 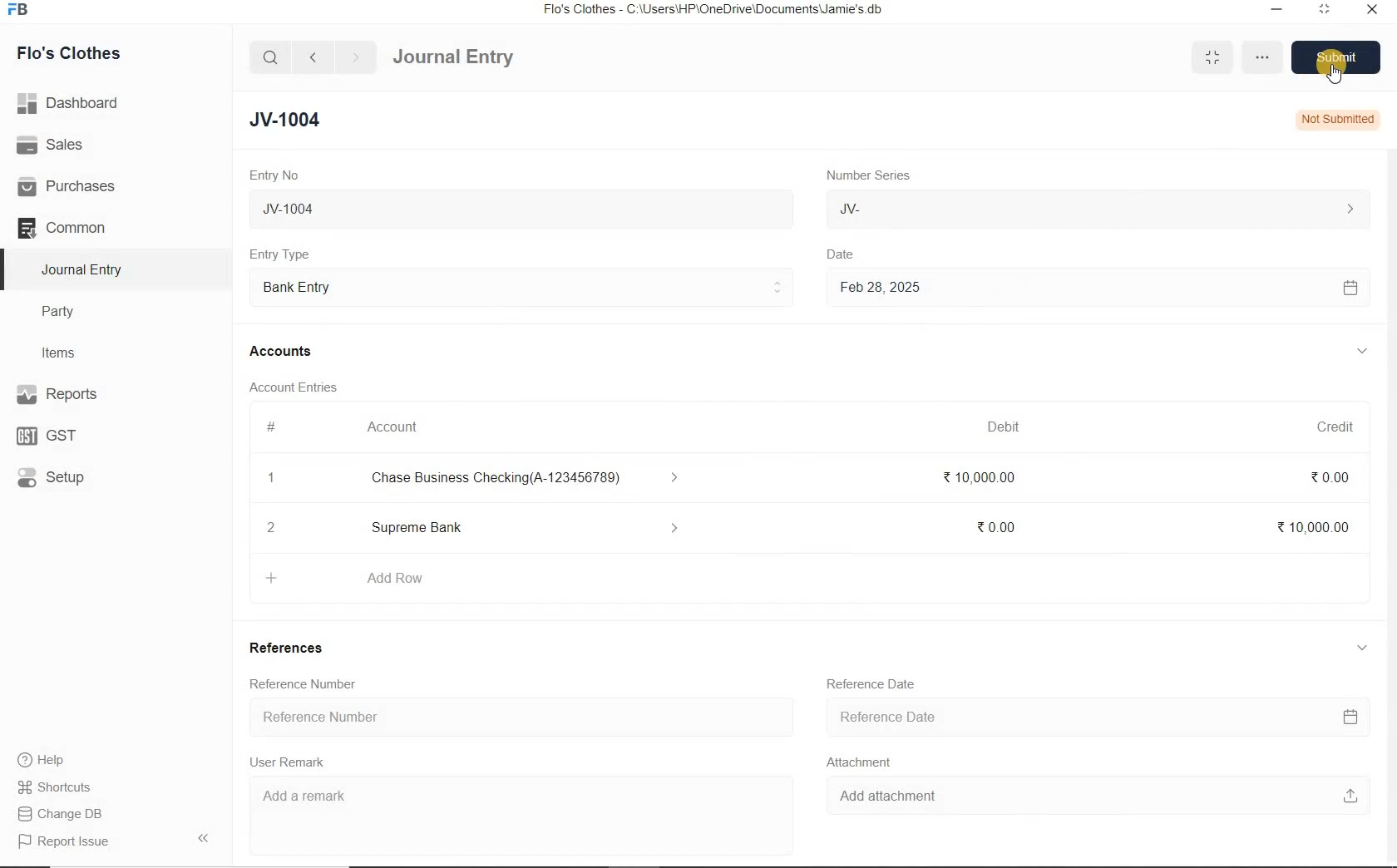 What do you see at coordinates (524, 207) in the screenshot?
I see `JV-1004` at bounding box center [524, 207].